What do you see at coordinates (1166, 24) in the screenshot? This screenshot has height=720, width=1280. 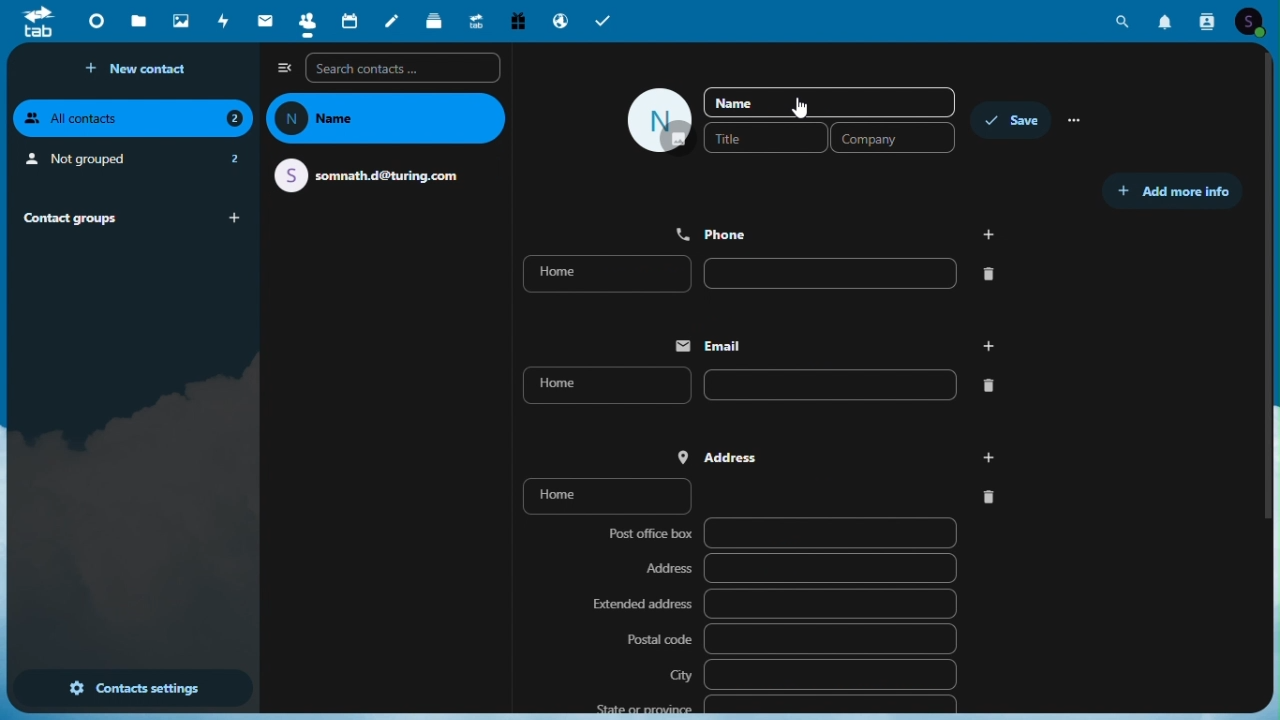 I see `Notification` at bounding box center [1166, 24].